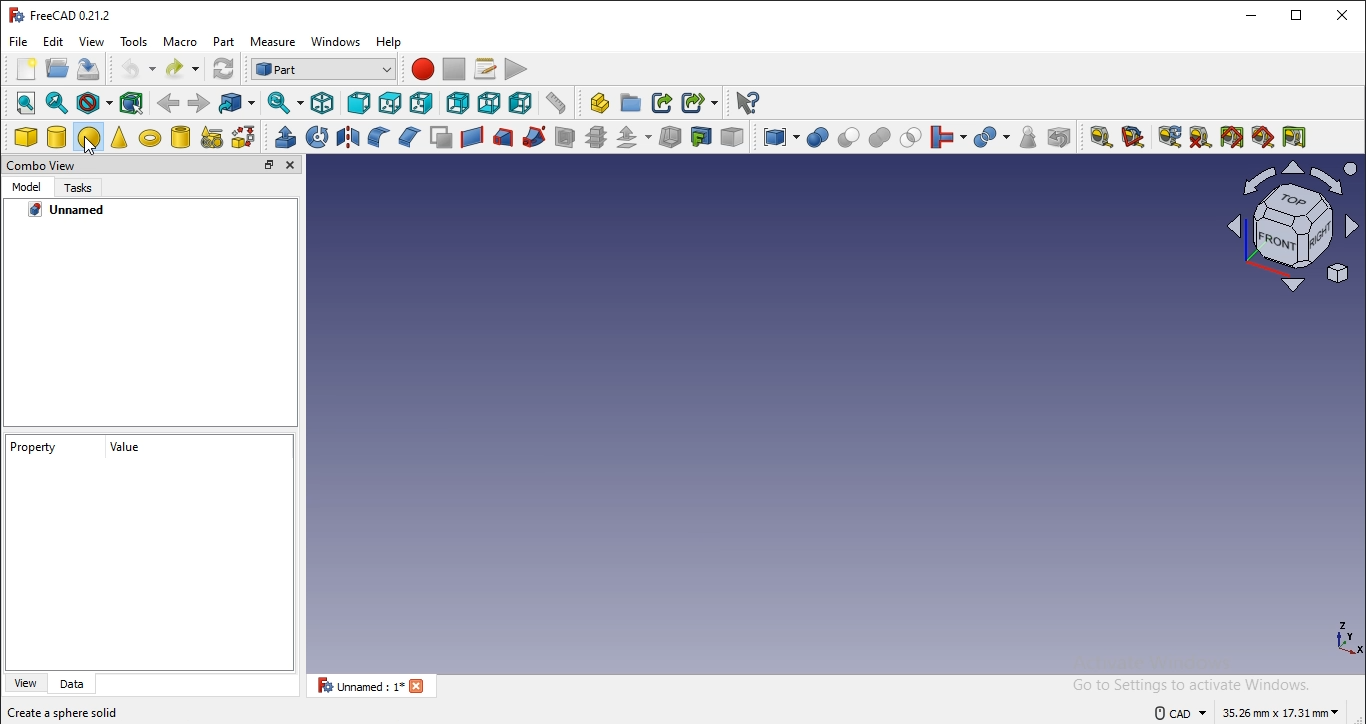  What do you see at coordinates (520, 102) in the screenshot?
I see `left` at bounding box center [520, 102].